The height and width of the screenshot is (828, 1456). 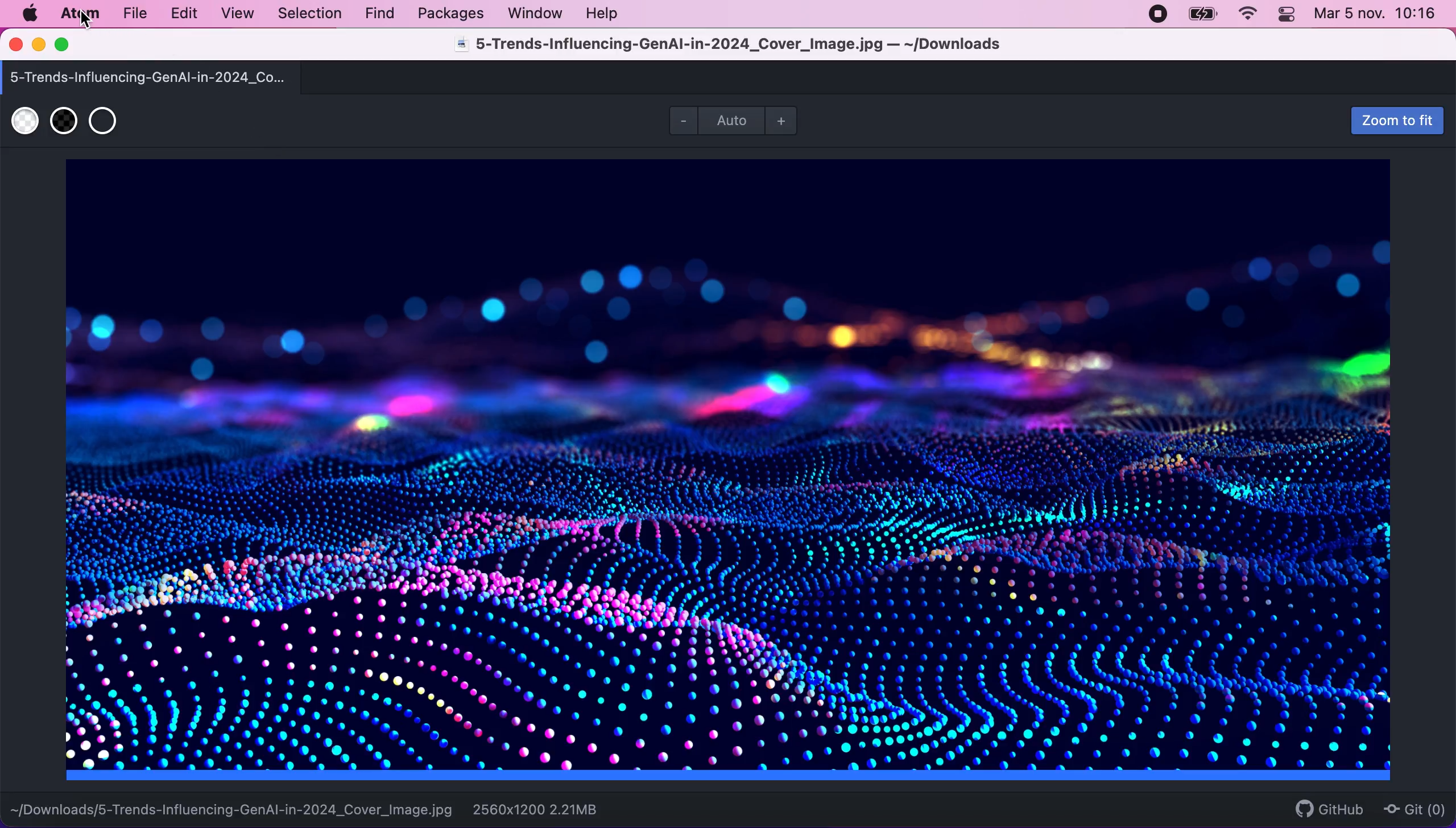 What do you see at coordinates (1378, 16) in the screenshot?
I see `time and date` at bounding box center [1378, 16].